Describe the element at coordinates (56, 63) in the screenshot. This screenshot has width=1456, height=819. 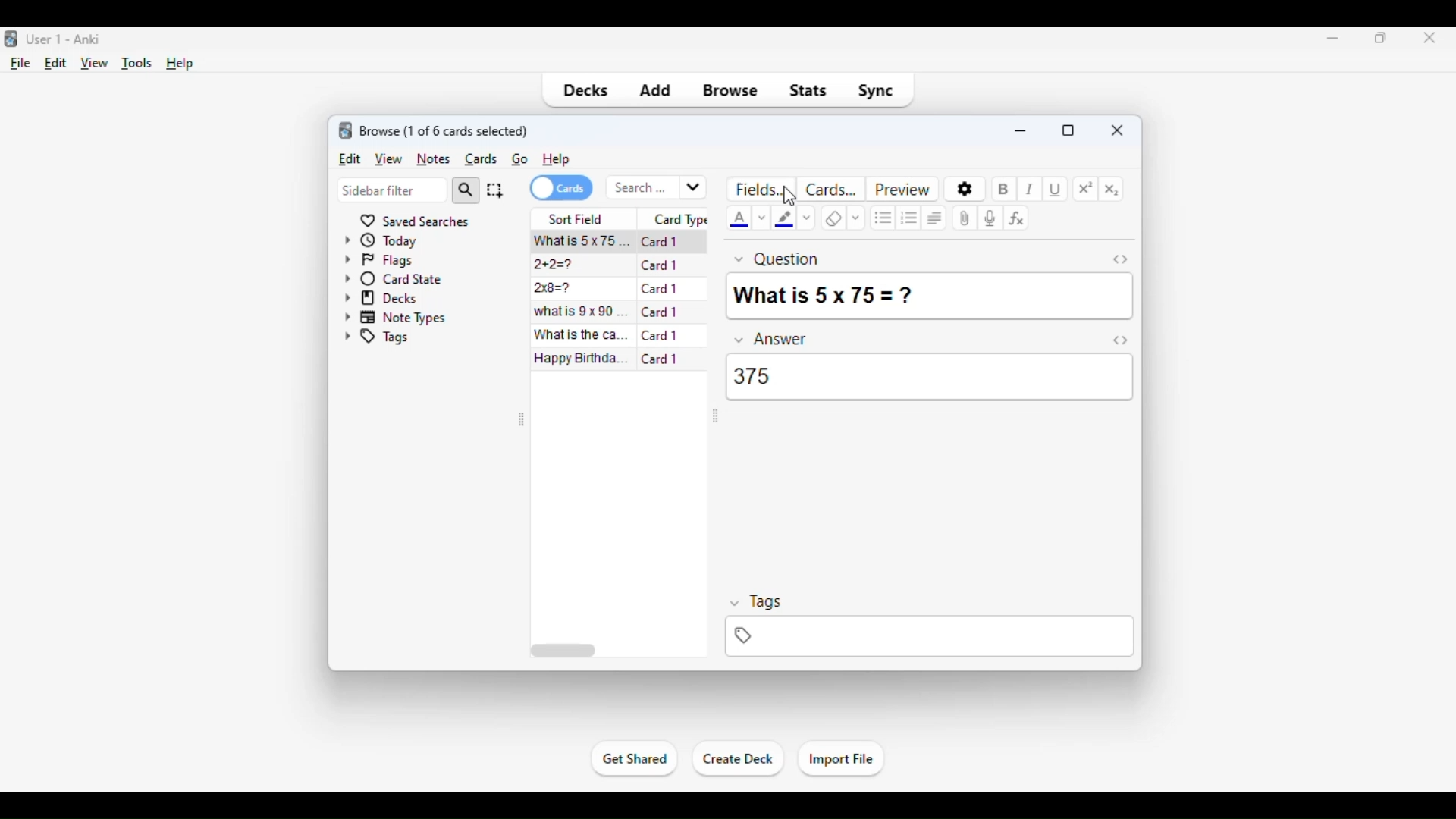
I see `edit` at that location.